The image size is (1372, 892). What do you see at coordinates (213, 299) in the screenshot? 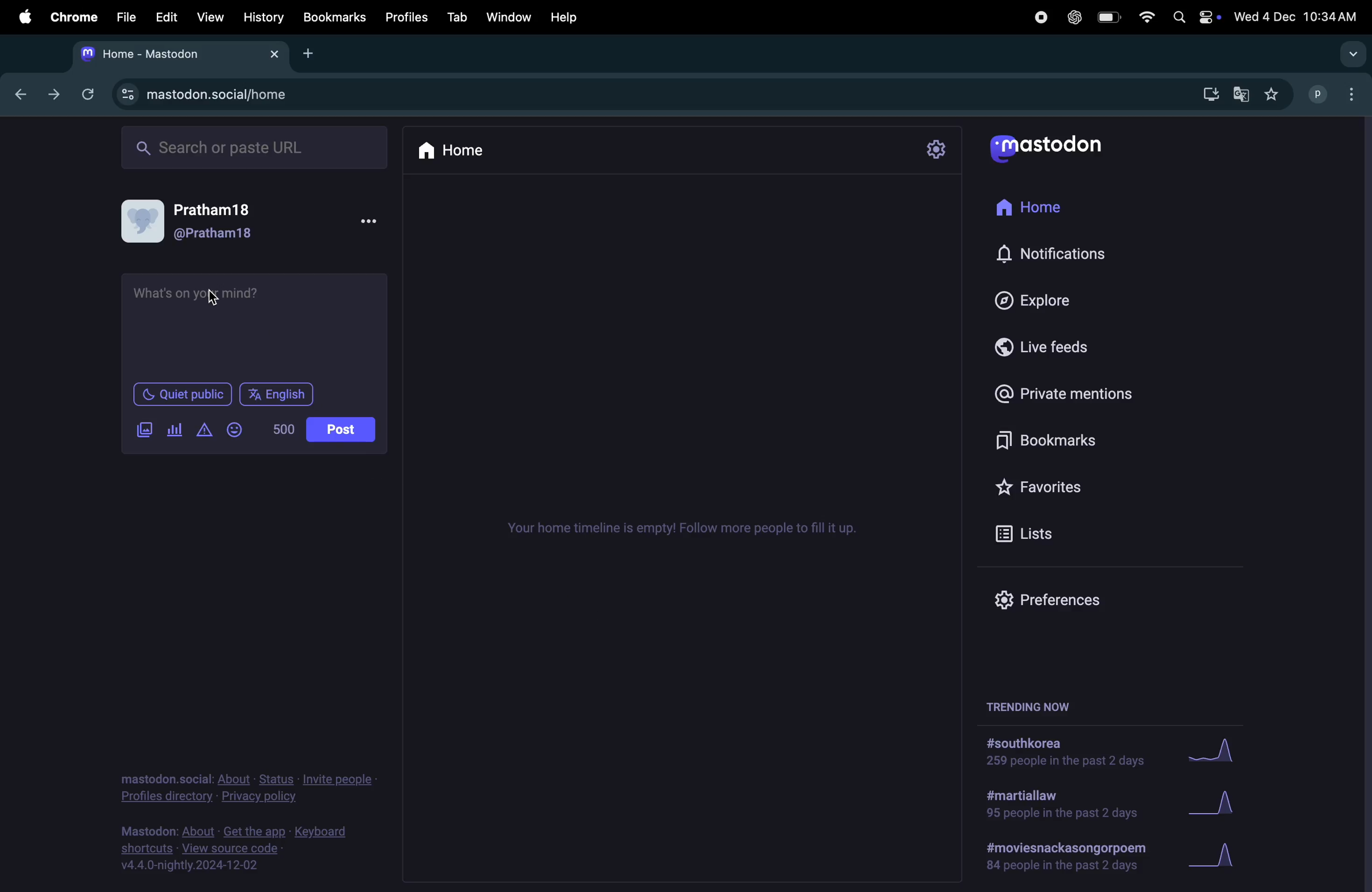
I see `cursor` at bounding box center [213, 299].